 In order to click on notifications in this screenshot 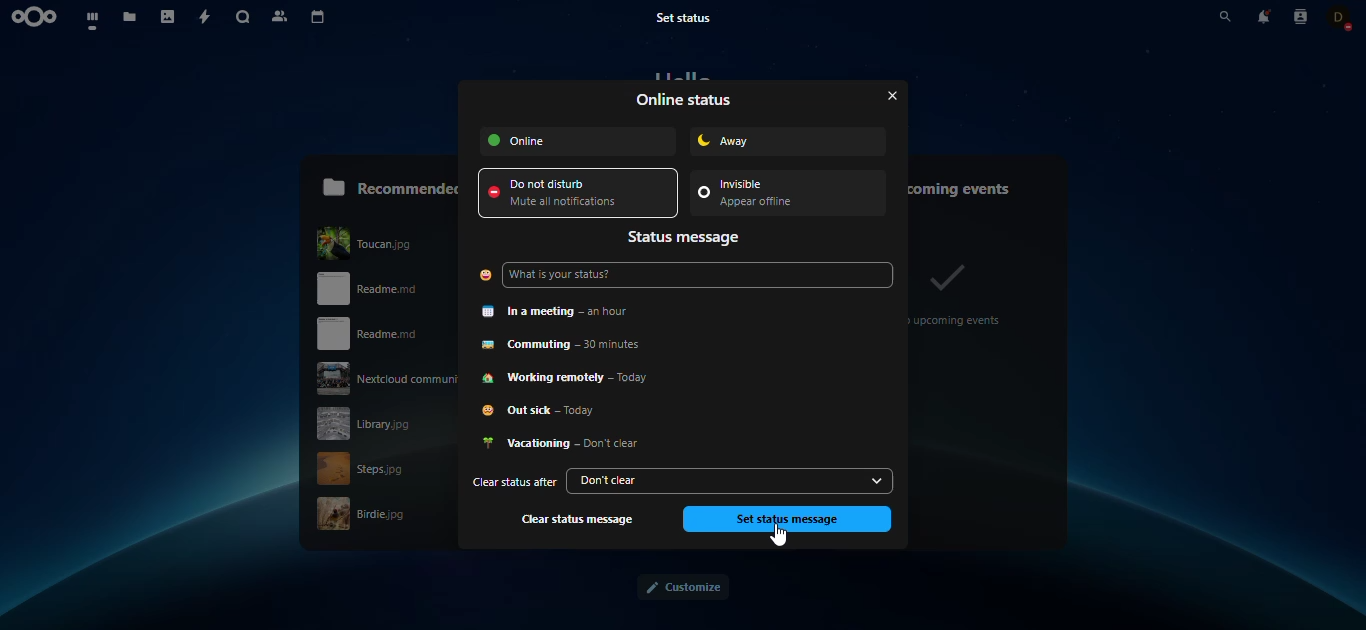, I will do `click(1263, 16)`.